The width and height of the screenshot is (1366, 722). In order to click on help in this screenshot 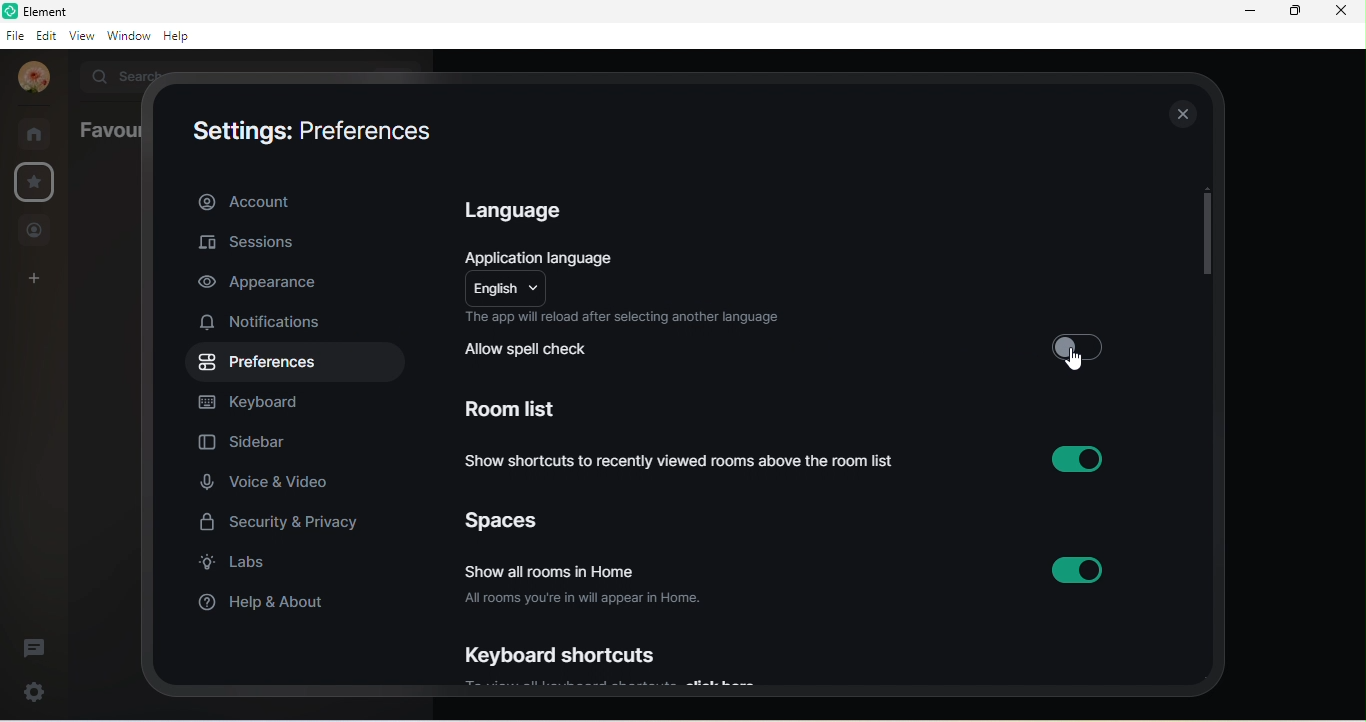, I will do `click(179, 37)`.